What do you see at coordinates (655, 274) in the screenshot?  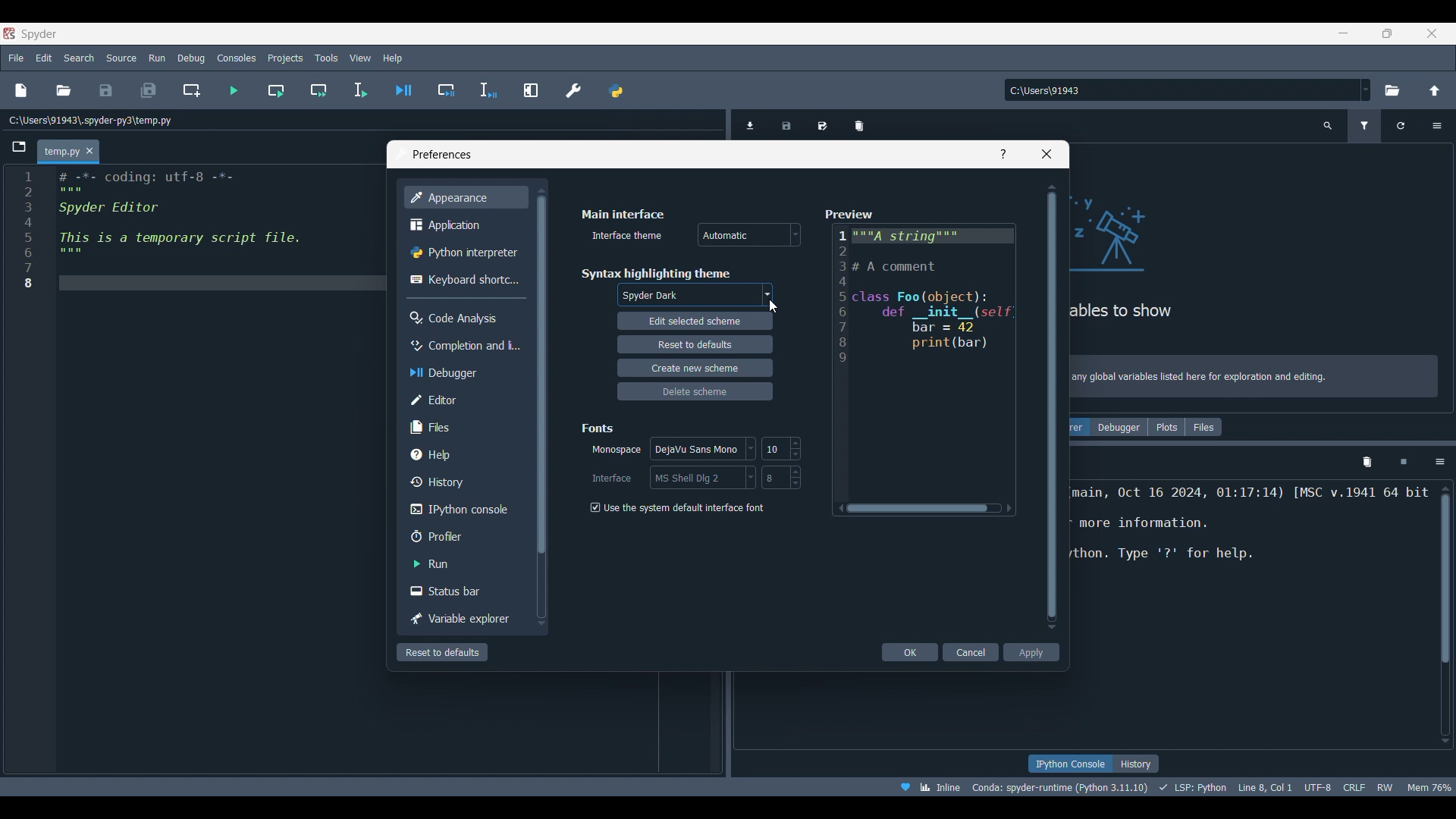 I see `Section title` at bounding box center [655, 274].